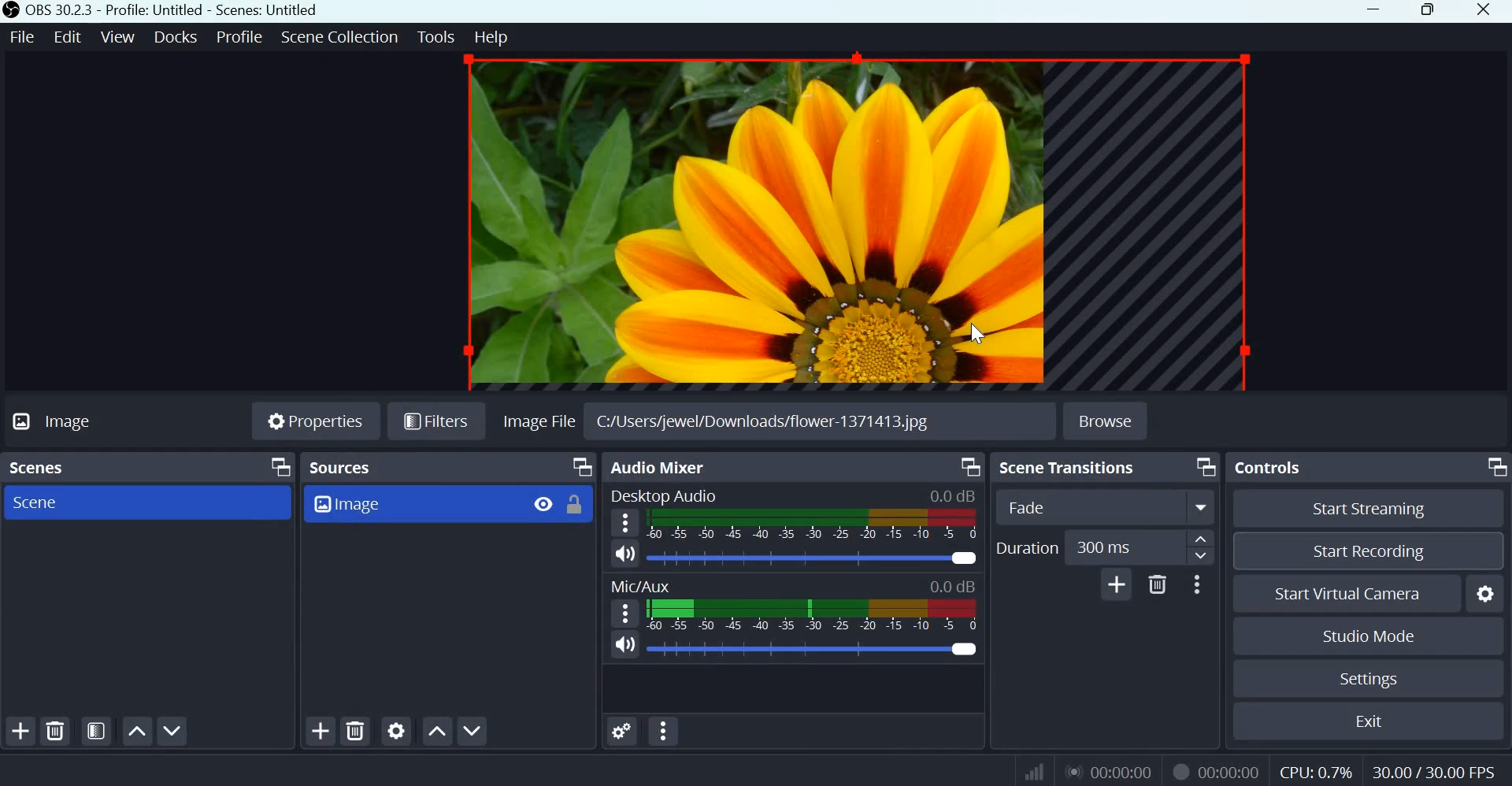 The image size is (1512, 786). What do you see at coordinates (436, 35) in the screenshot?
I see `Tools` at bounding box center [436, 35].